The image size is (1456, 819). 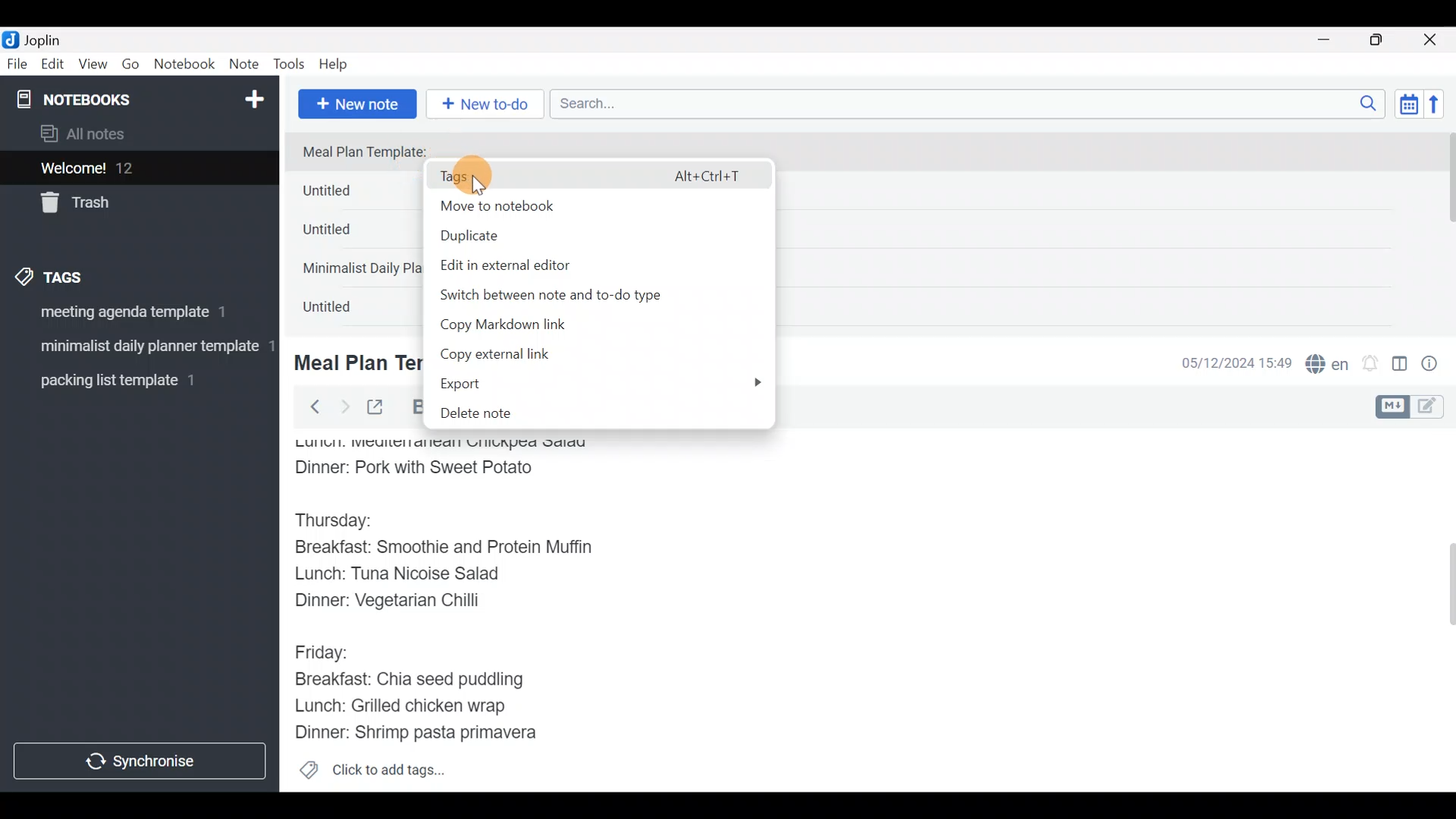 What do you see at coordinates (347, 234) in the screenshot?
I see `Untitled` at bounding box center [347, 234].